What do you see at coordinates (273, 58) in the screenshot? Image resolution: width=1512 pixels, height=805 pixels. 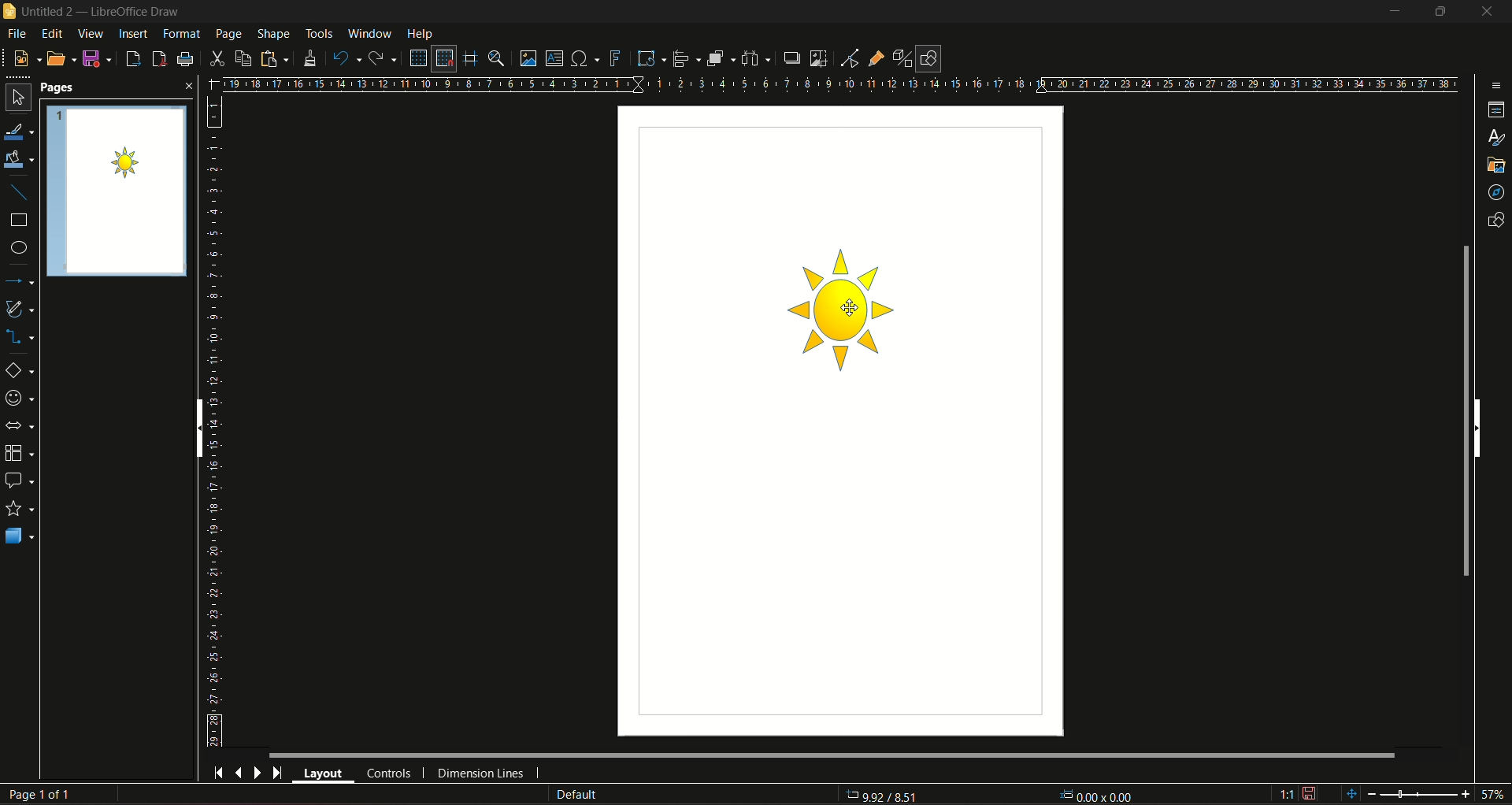 I see `paste` at bounding box center [273, 58].